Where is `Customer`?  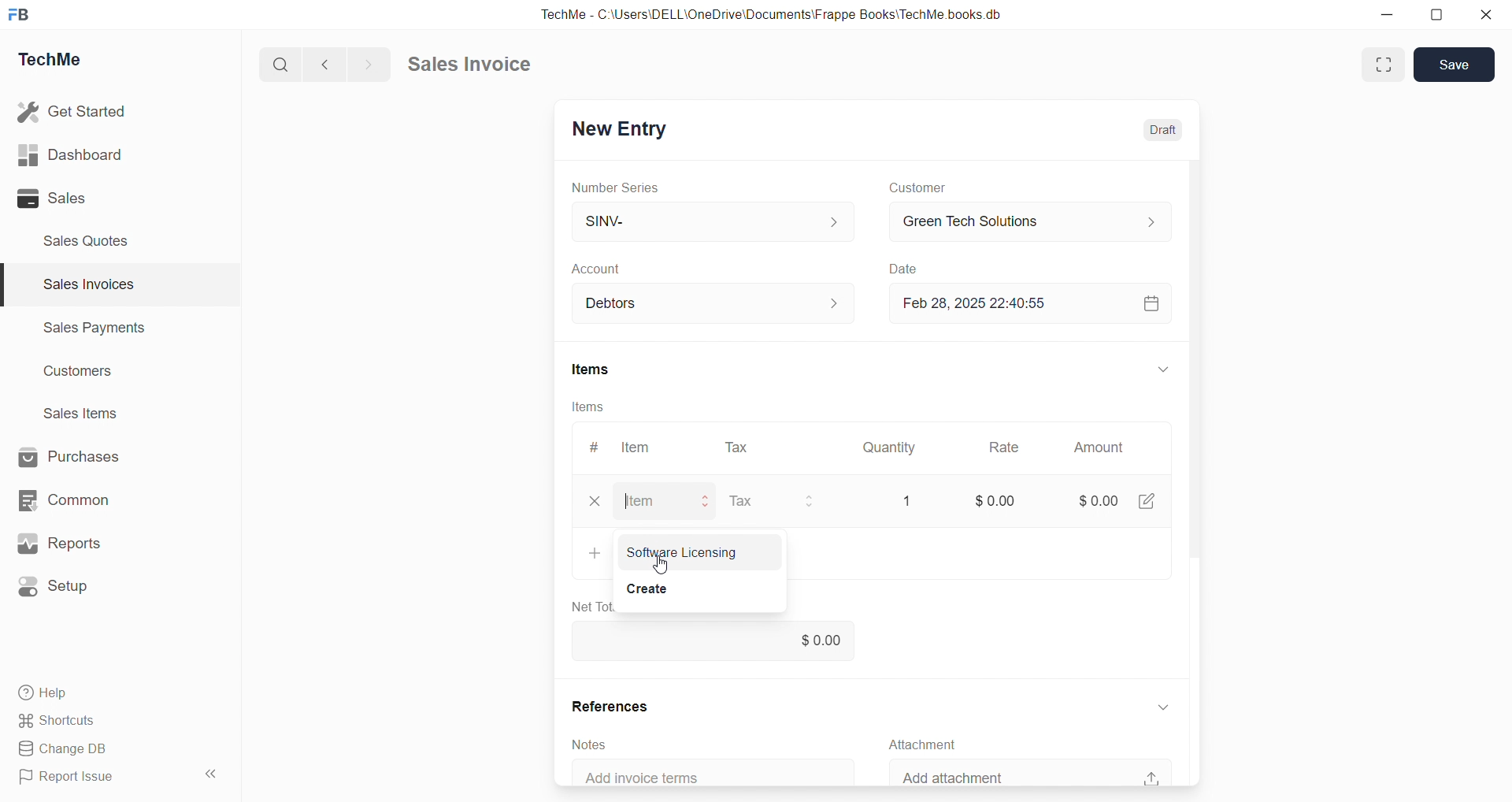
Customer is located at coordinates (918, 188).